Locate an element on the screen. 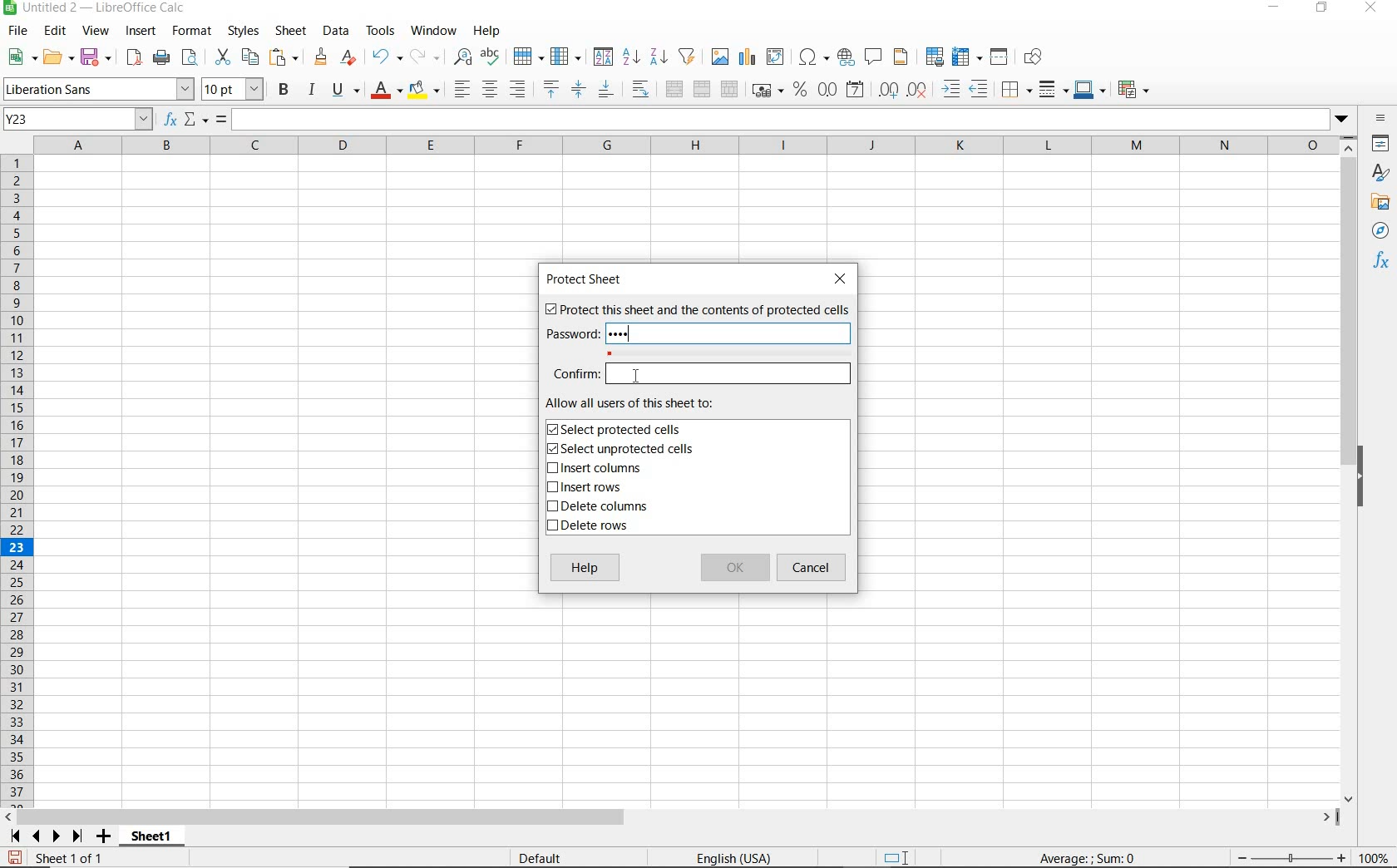 The image size is (1397, 868). BORDERS is located at coordinates (1014, 91).